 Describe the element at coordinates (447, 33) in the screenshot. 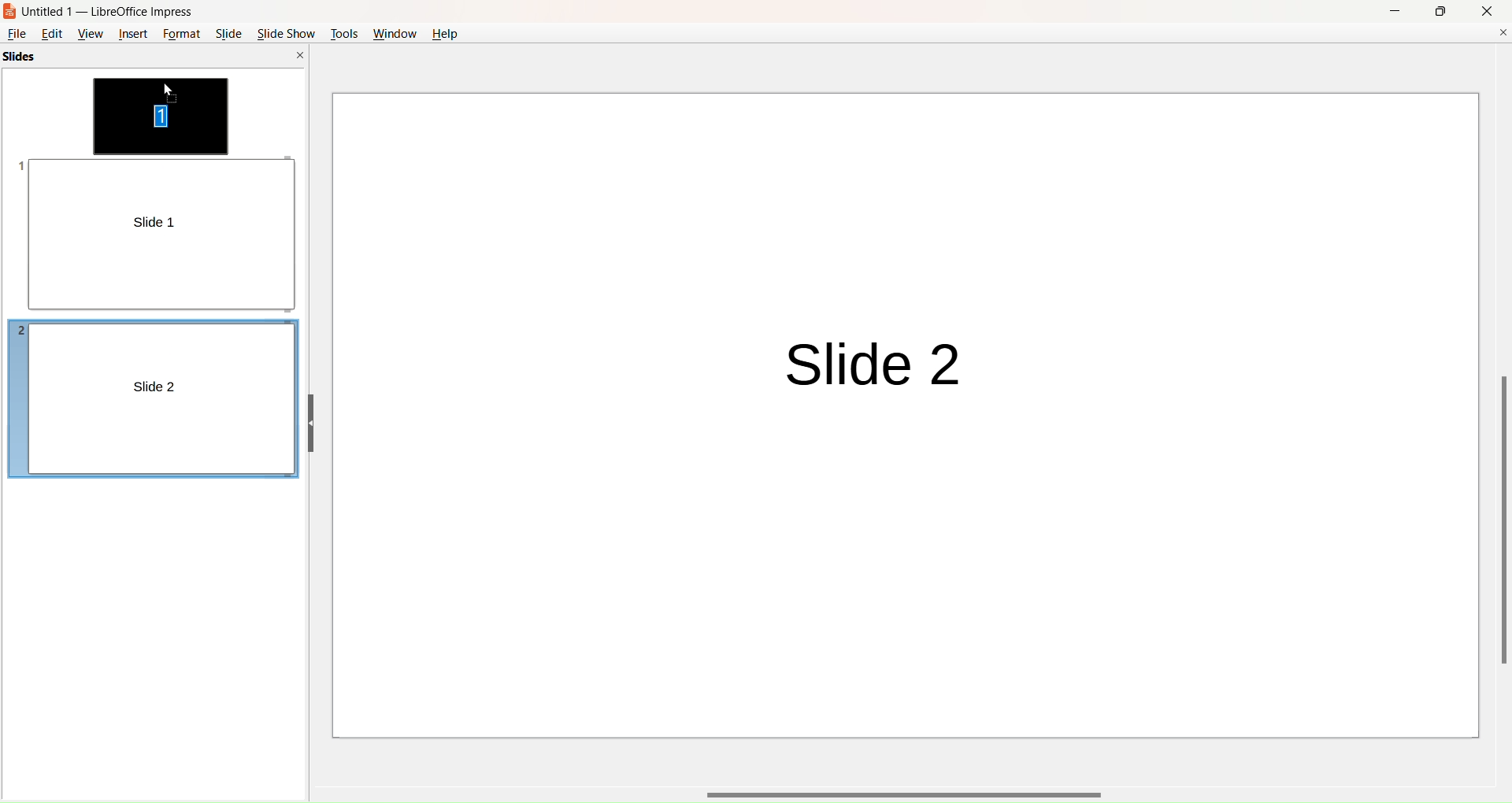

I see `help` at that location.